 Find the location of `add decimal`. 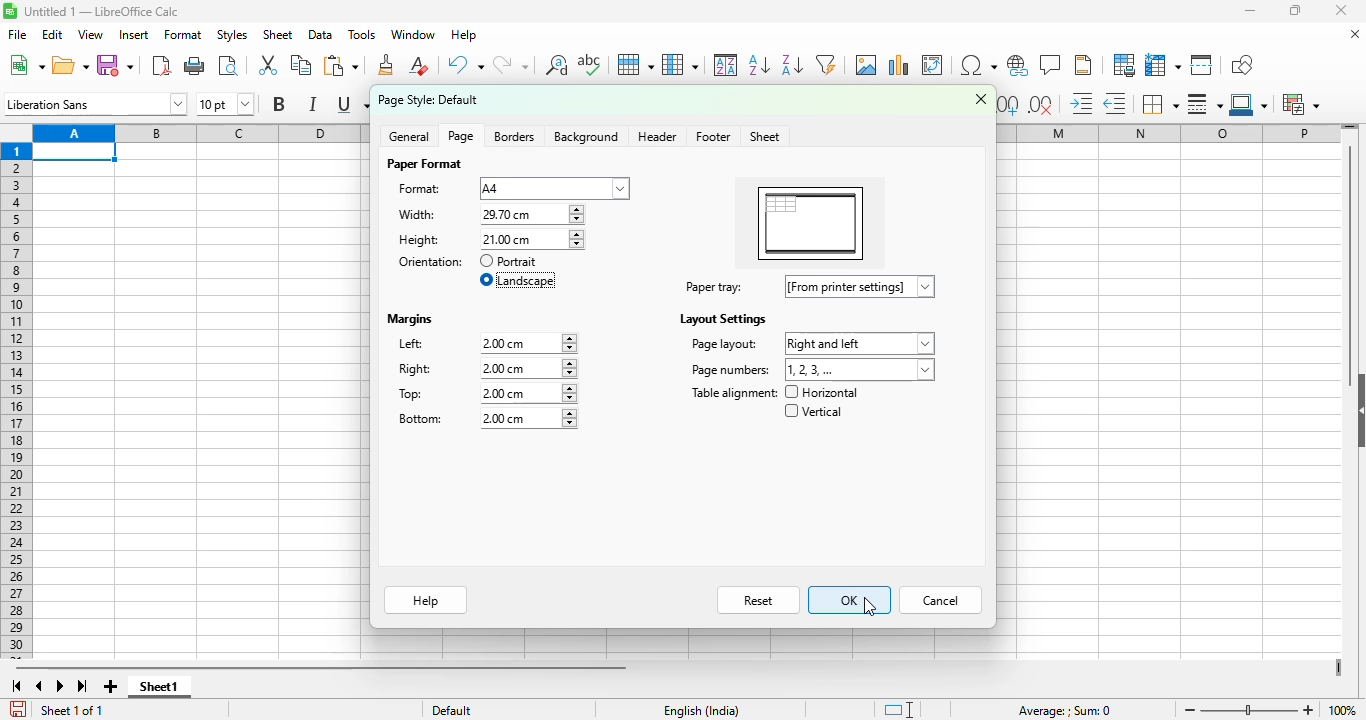

add decimal is located at coordinates (1009, 105).